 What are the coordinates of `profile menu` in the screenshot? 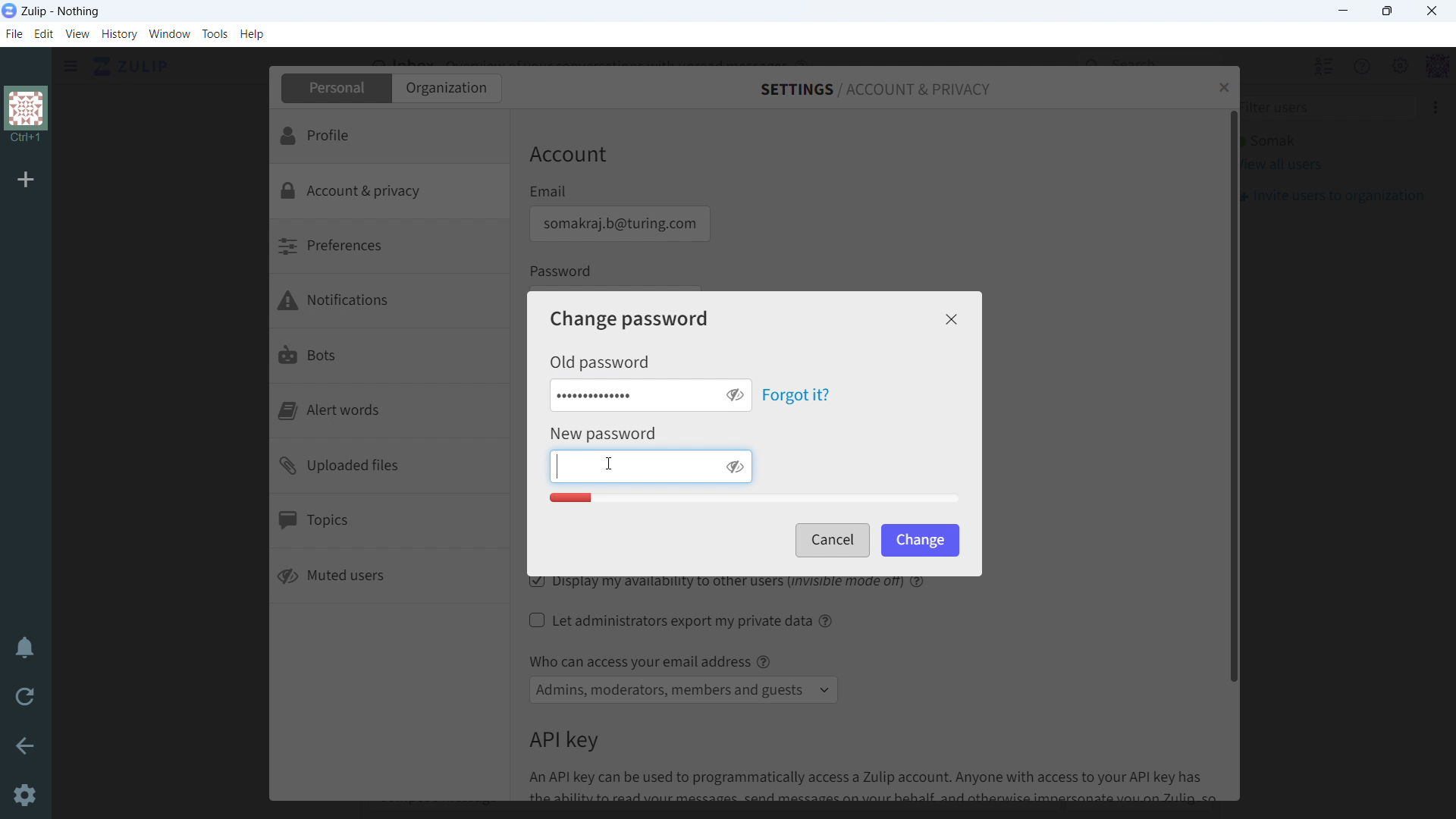 It's located at (1438, 67).